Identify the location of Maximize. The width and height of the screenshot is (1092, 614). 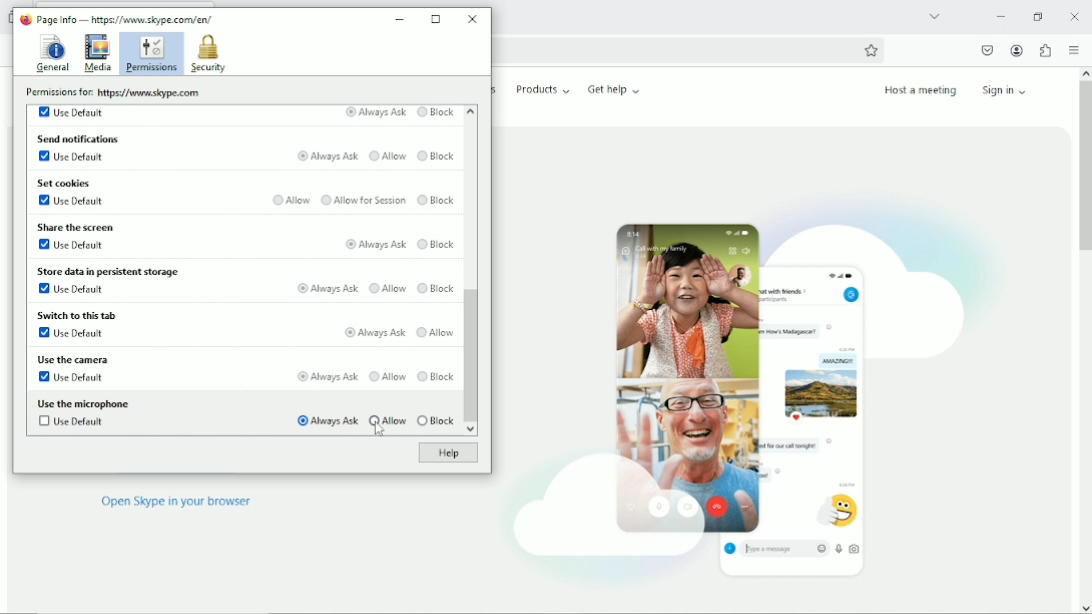
(437, 19).